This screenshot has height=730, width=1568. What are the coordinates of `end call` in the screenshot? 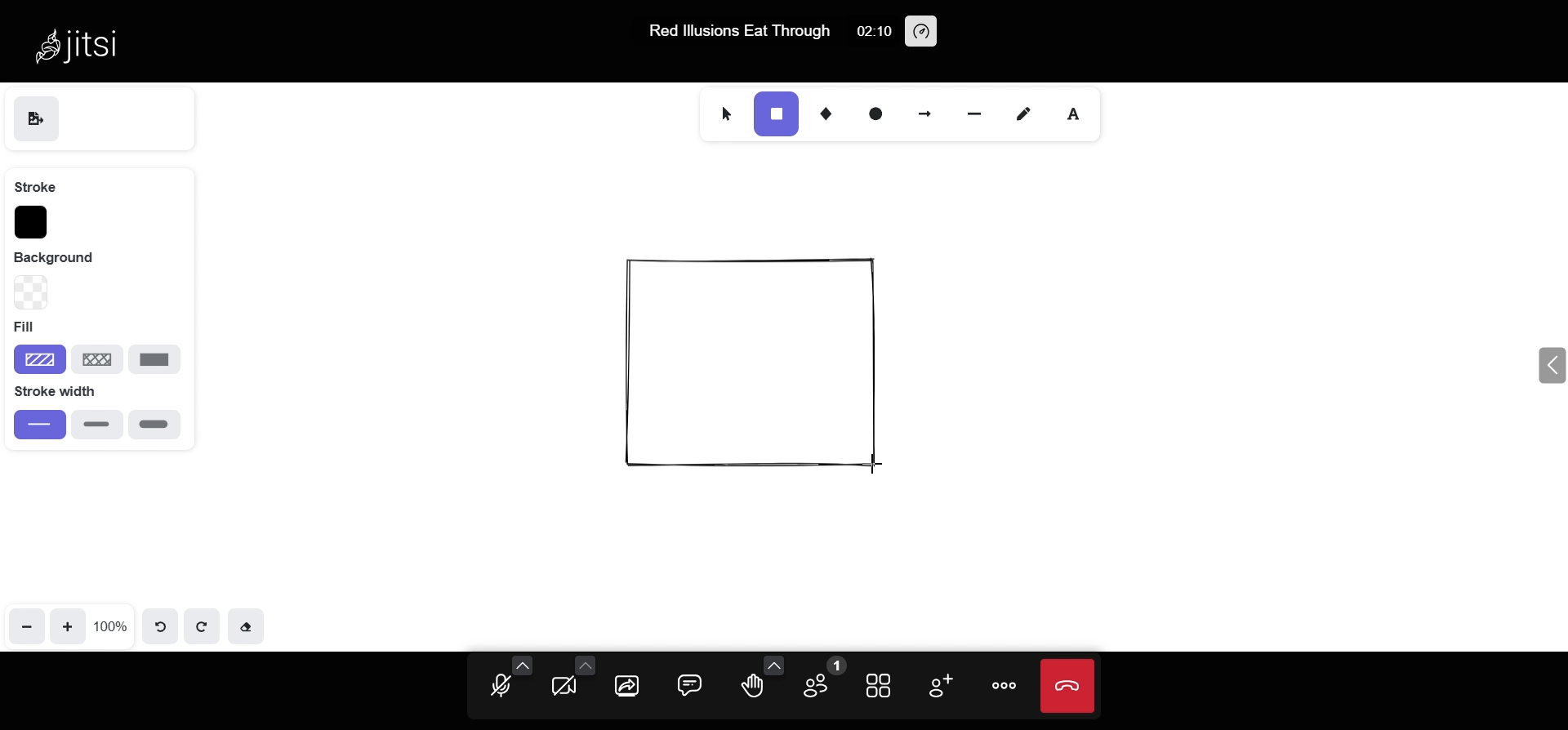 It's located at (1069, 686).